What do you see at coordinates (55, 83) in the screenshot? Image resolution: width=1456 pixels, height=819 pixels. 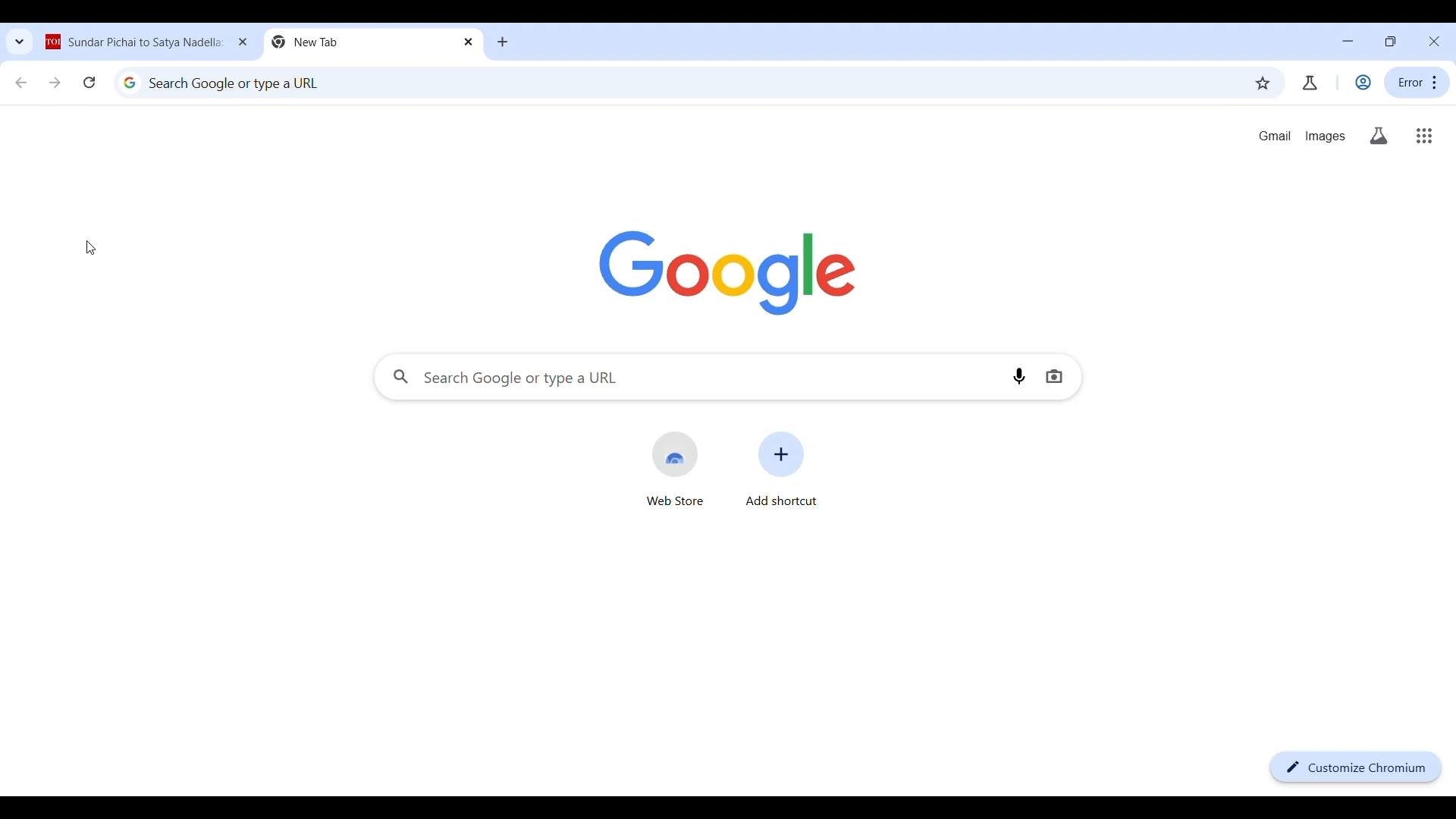 I see `Go forward` at bounding box center [55, 83].